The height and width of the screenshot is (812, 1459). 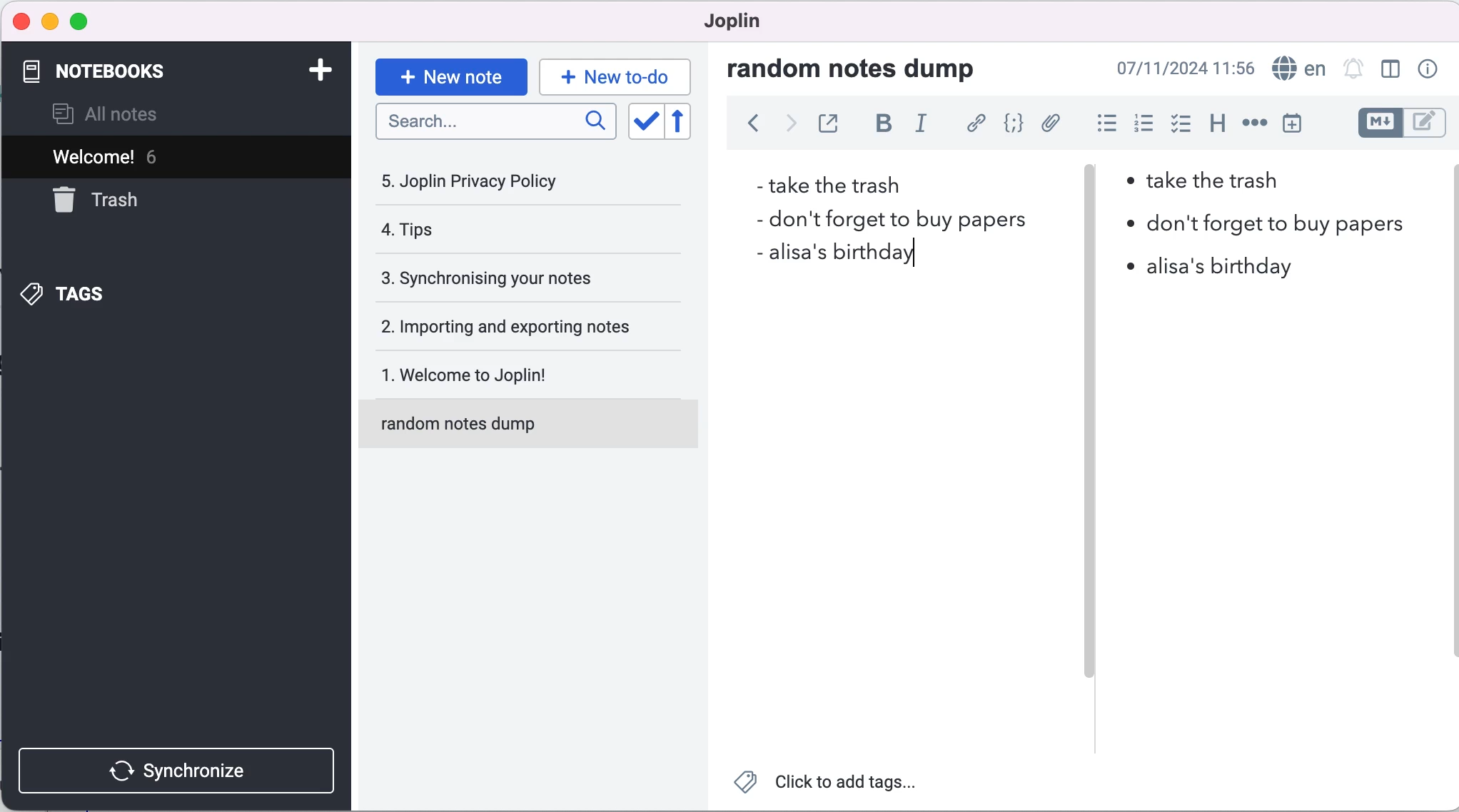 What do you see at coordinates (973, 124) in the screenshot?
I see `hyperlink` at bounding box center [973, 124].